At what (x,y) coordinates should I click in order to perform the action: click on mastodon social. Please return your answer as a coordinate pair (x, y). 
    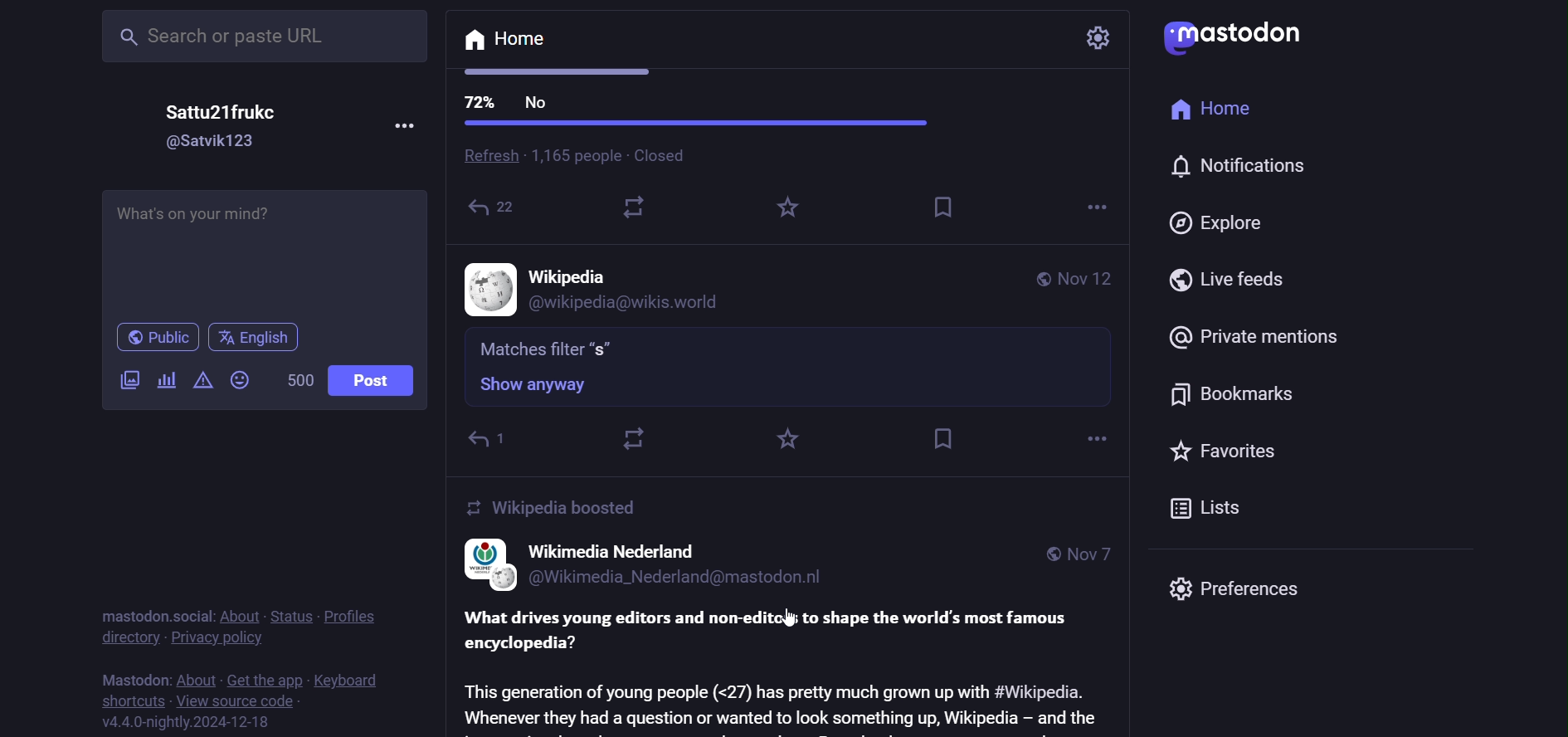
    Looking at the image, I should click on (150, 613).